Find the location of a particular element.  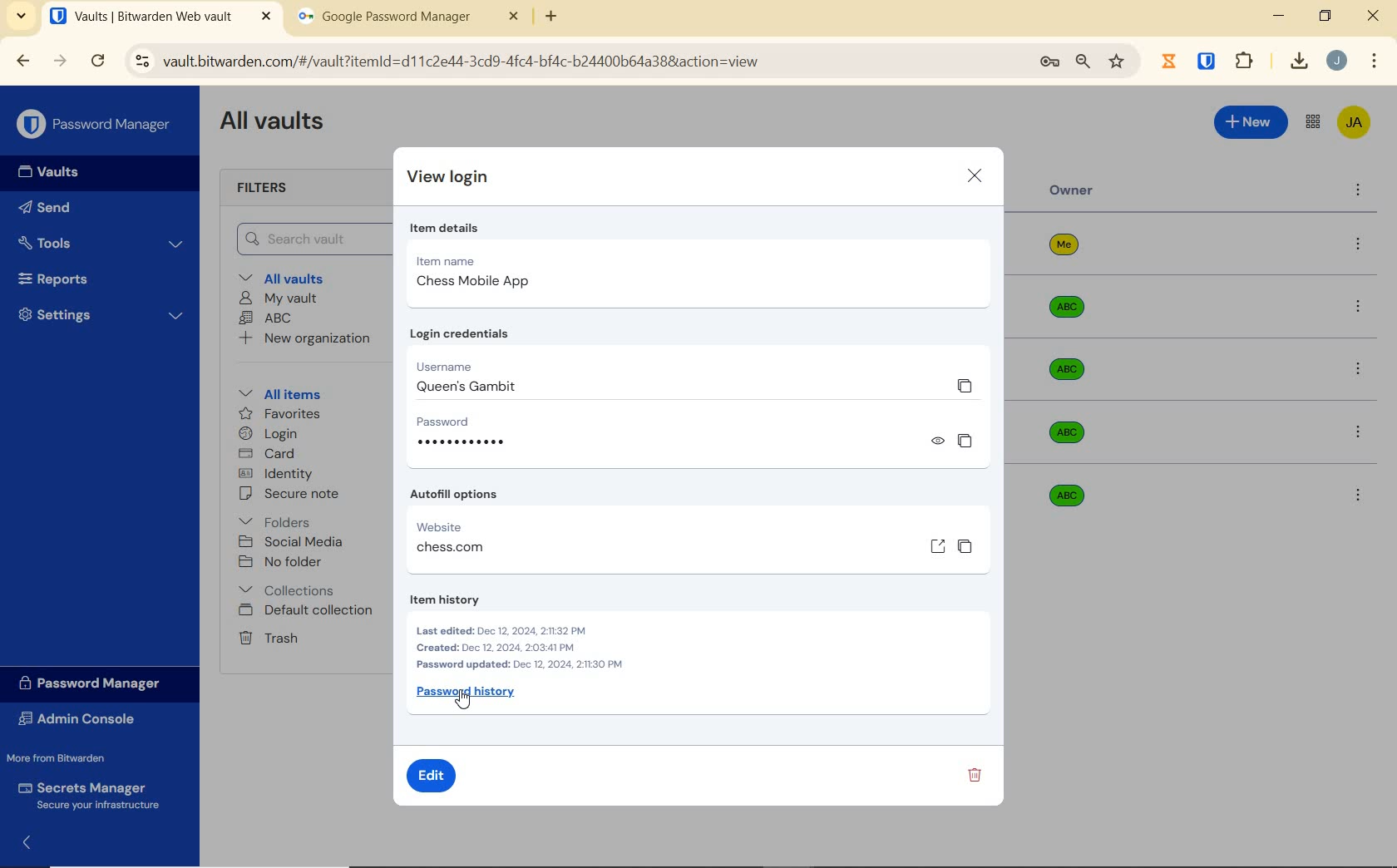

view is located at coordinates (940, 441).